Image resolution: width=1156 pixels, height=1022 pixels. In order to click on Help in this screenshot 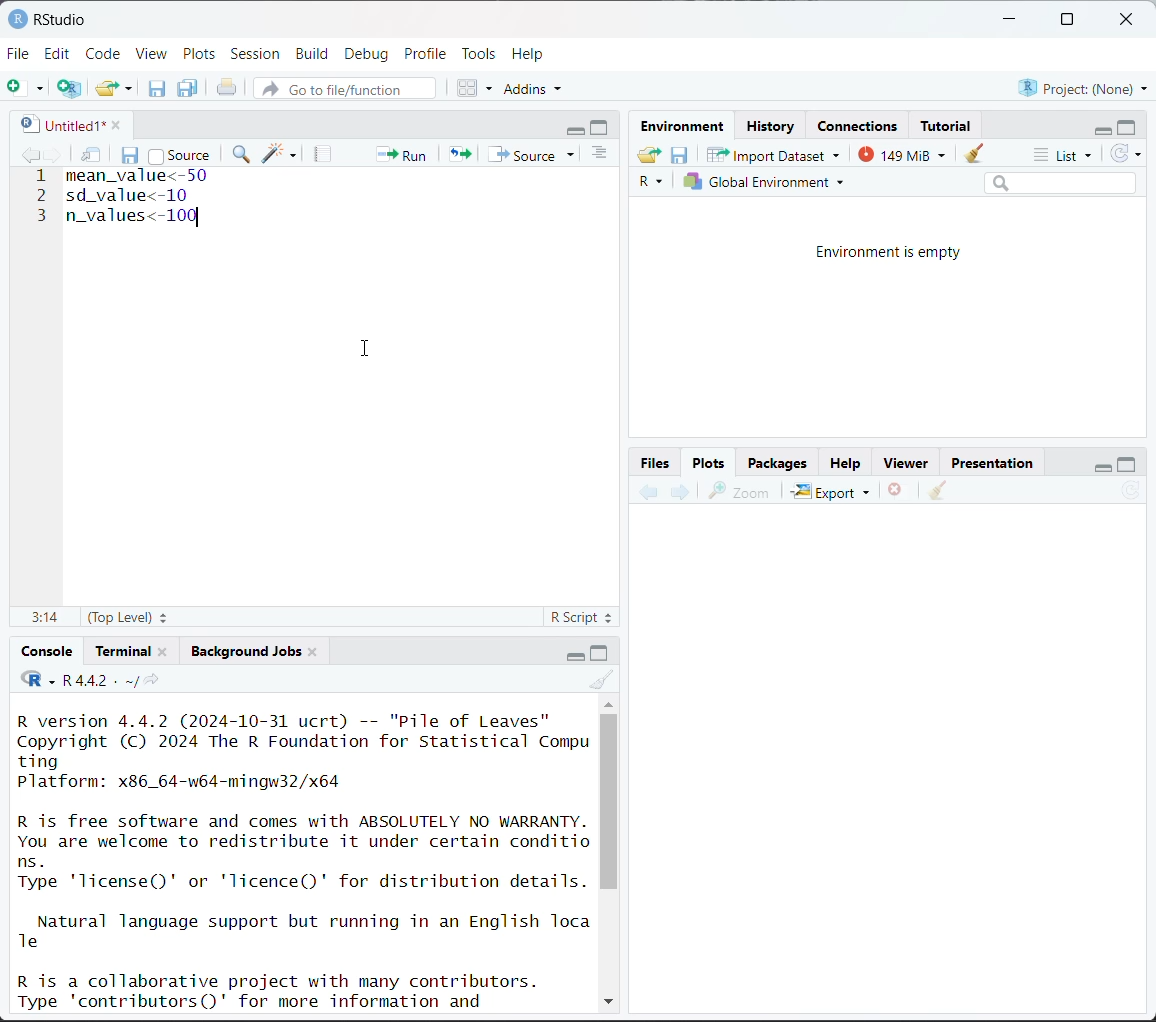, I will do `click(530, 53)`.